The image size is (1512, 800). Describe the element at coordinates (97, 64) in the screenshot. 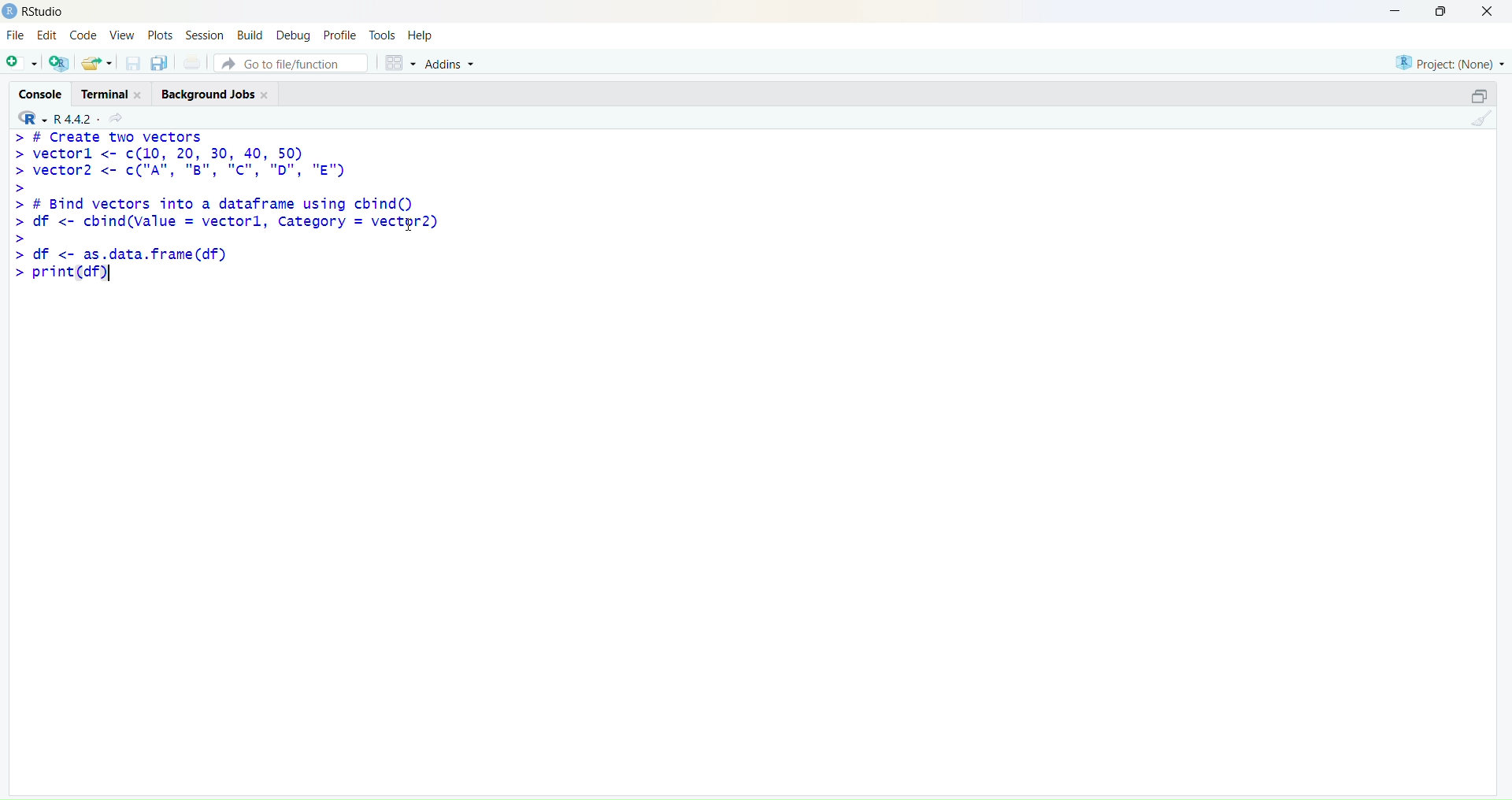

I see `open existing document` at that location.